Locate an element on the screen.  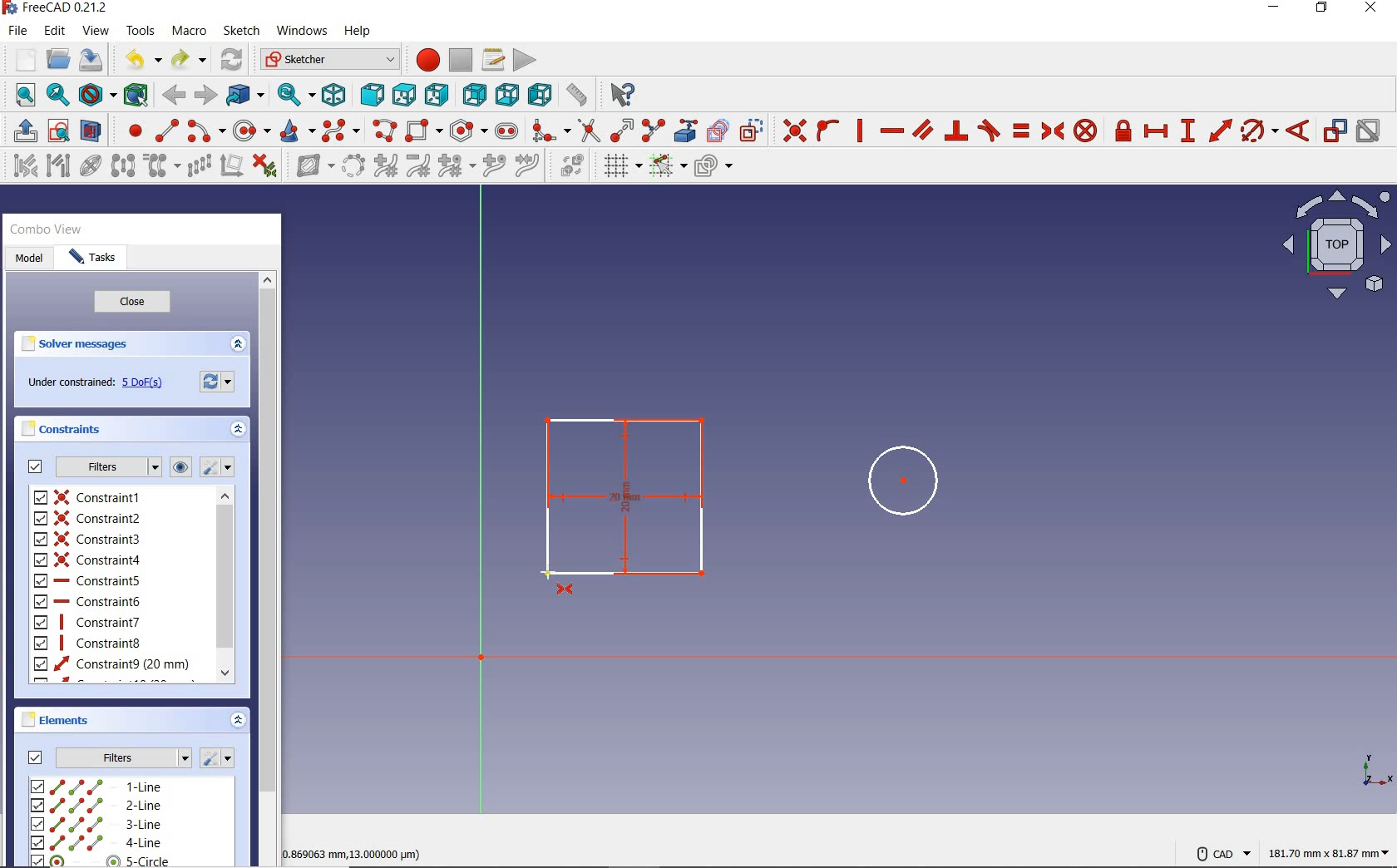
symmetry is located at coordinates (124, 168).